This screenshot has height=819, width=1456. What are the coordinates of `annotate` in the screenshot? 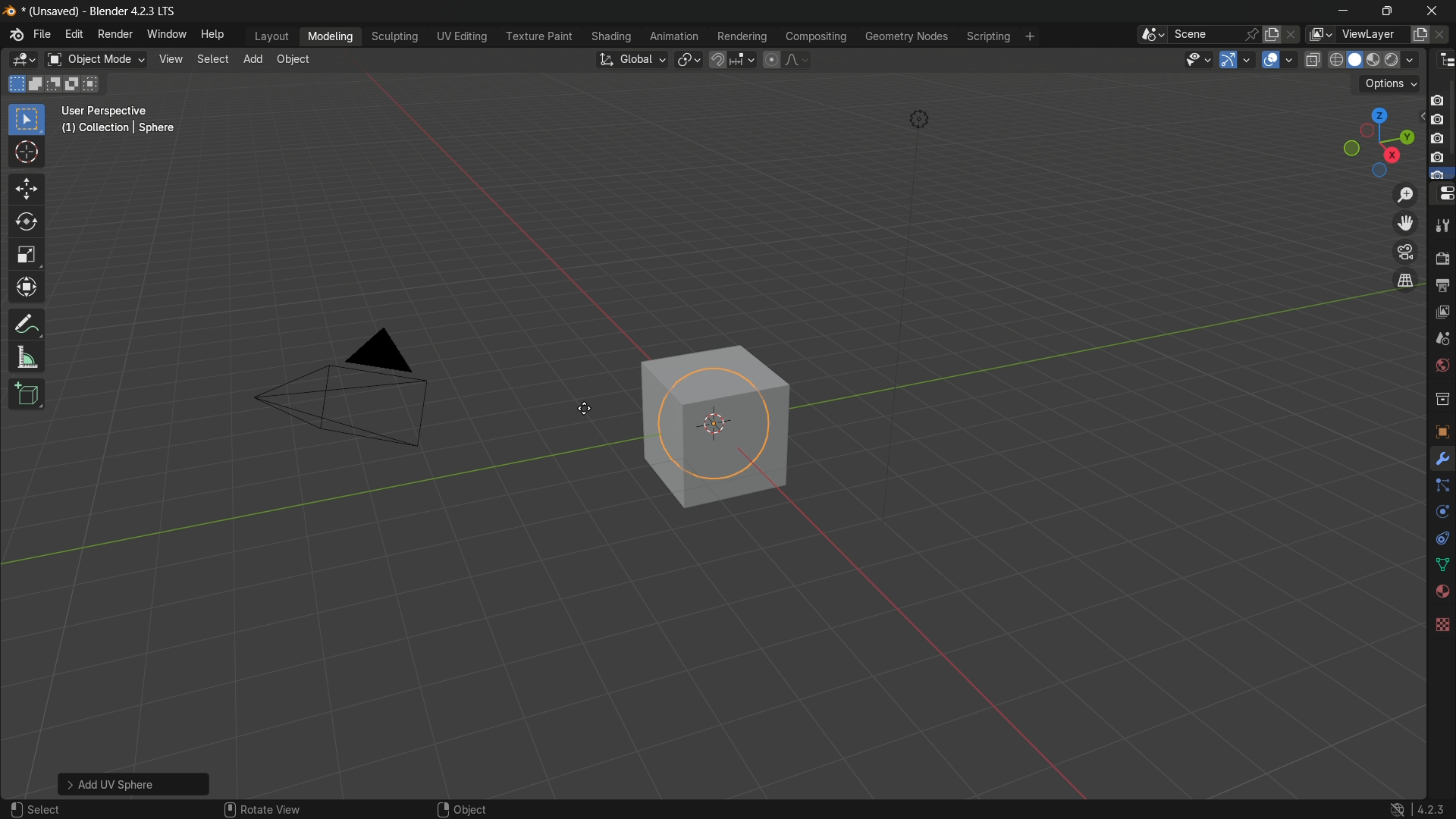 It's located at (27, 322).